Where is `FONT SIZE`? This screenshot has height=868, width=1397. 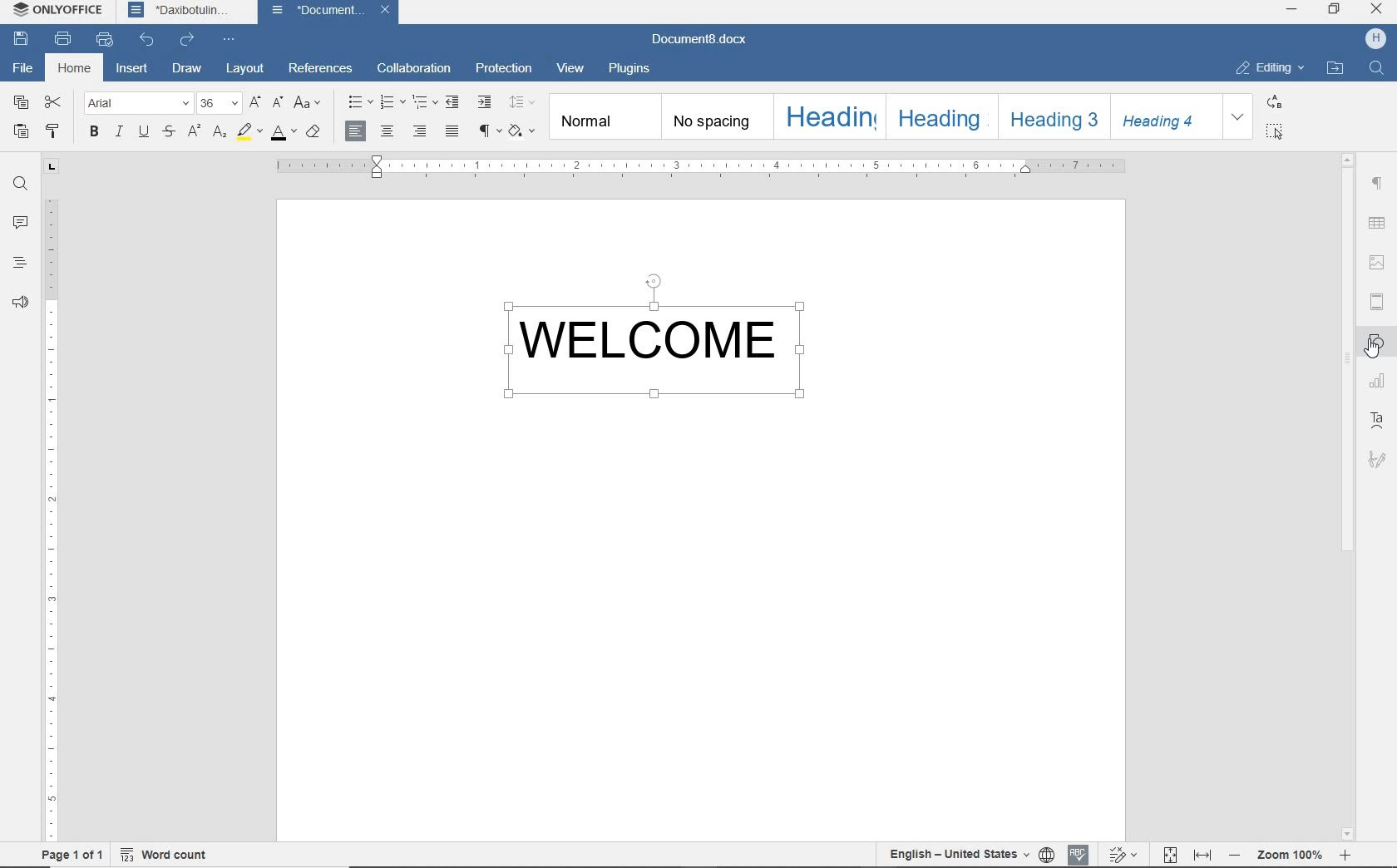
FONT SIZE is located at coordinates (218, 103).